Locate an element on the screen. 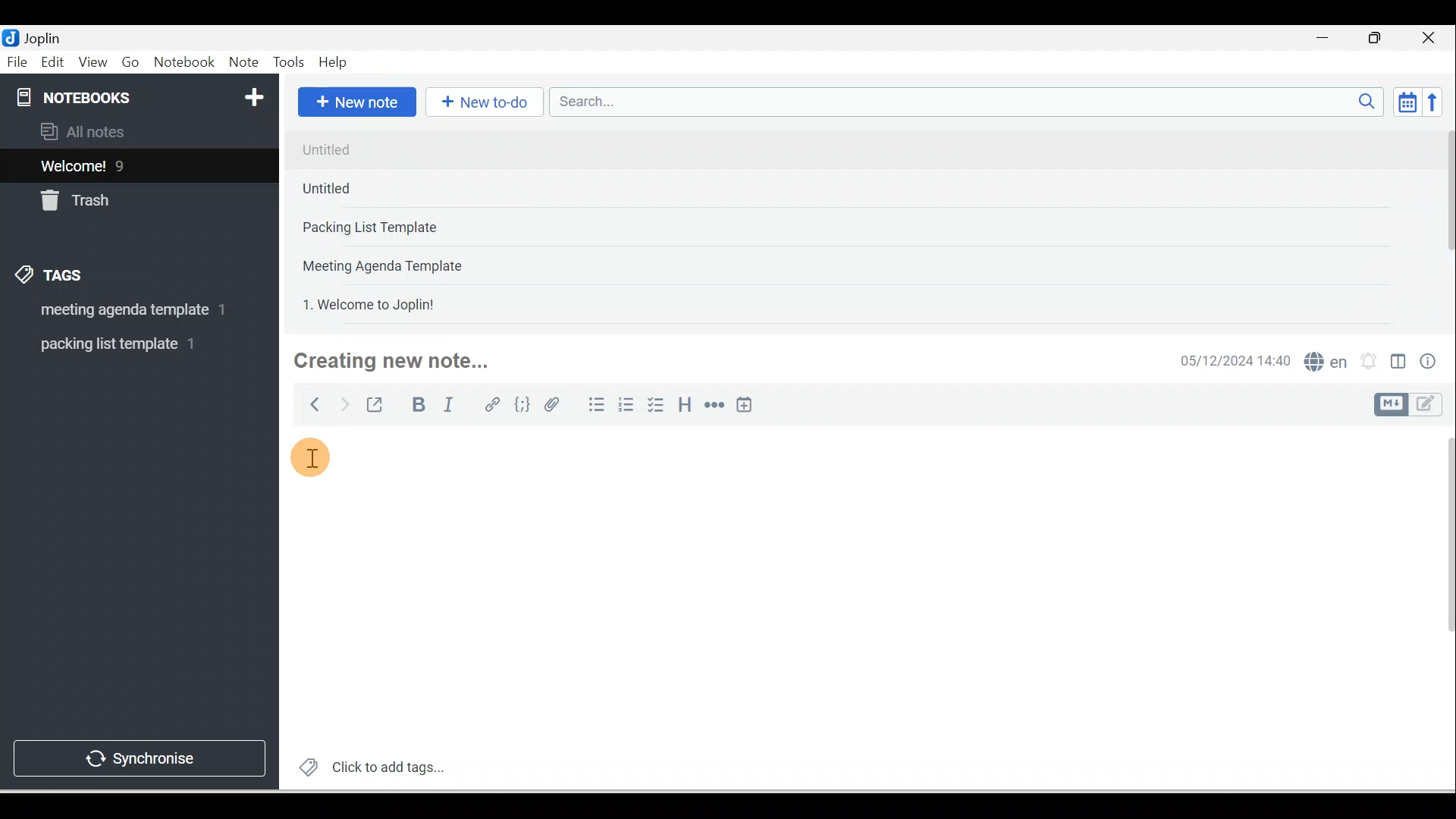 This screenshot has height=819, width=1456. Forward is located at coordinates (343, 403).